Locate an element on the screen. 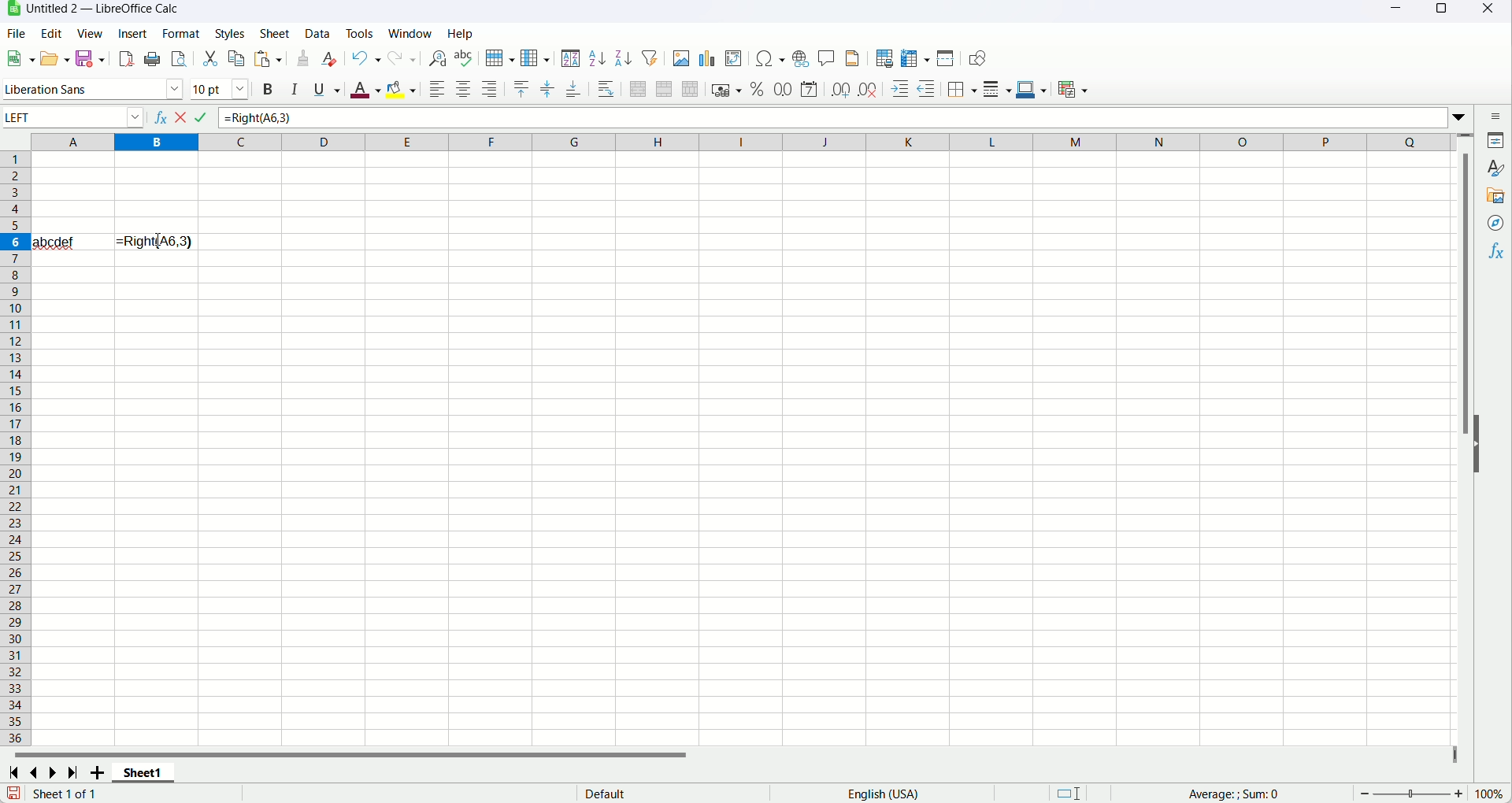 This screenshot has height=803, width=1512. view is located at coordinates (89, 33).